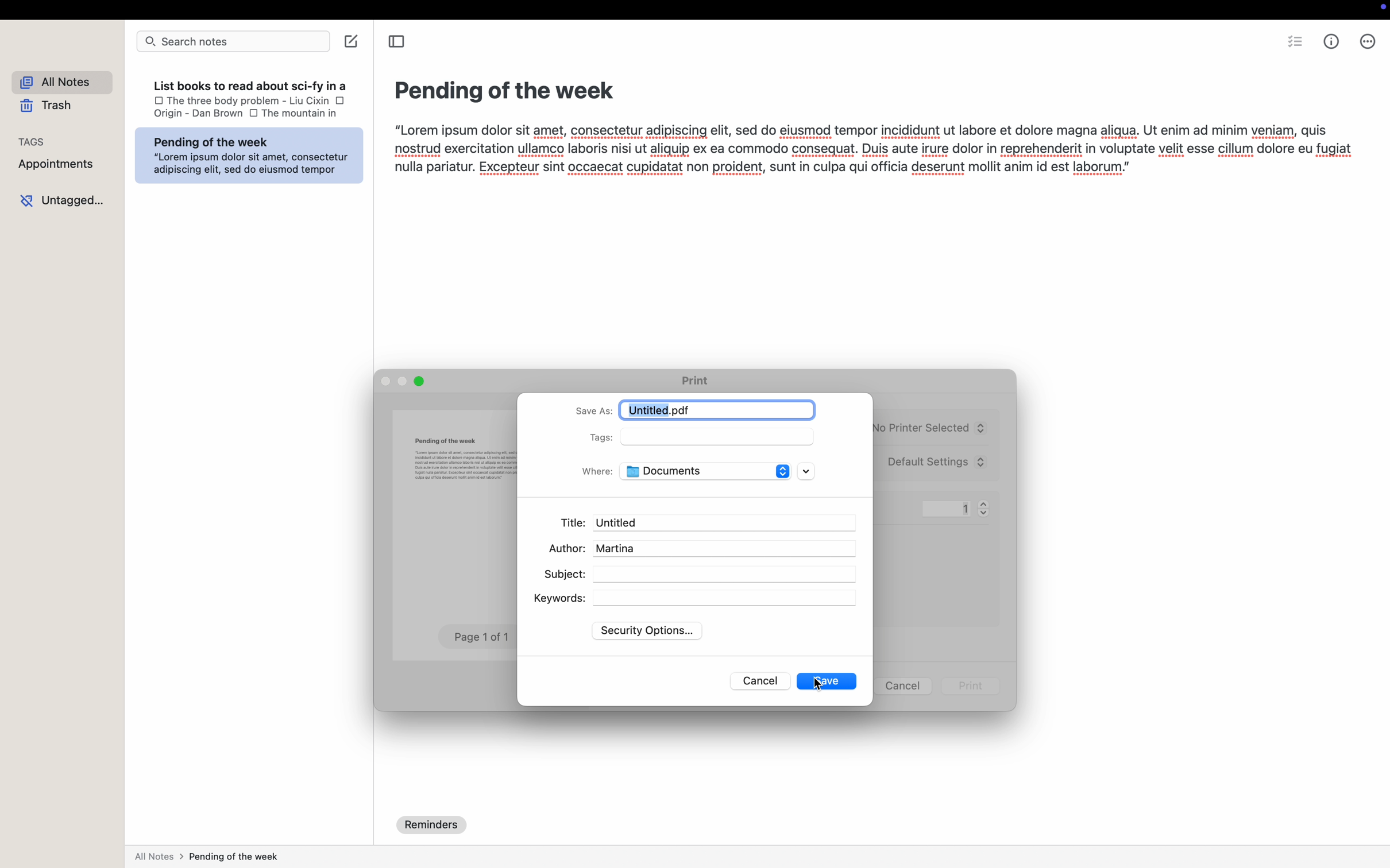 Image resolution: width=1390 pixels, height=868 pixels. What do you see at coordinates (646, 629) in the screenshot?
I see `security options` at bounding box center [646, 629].